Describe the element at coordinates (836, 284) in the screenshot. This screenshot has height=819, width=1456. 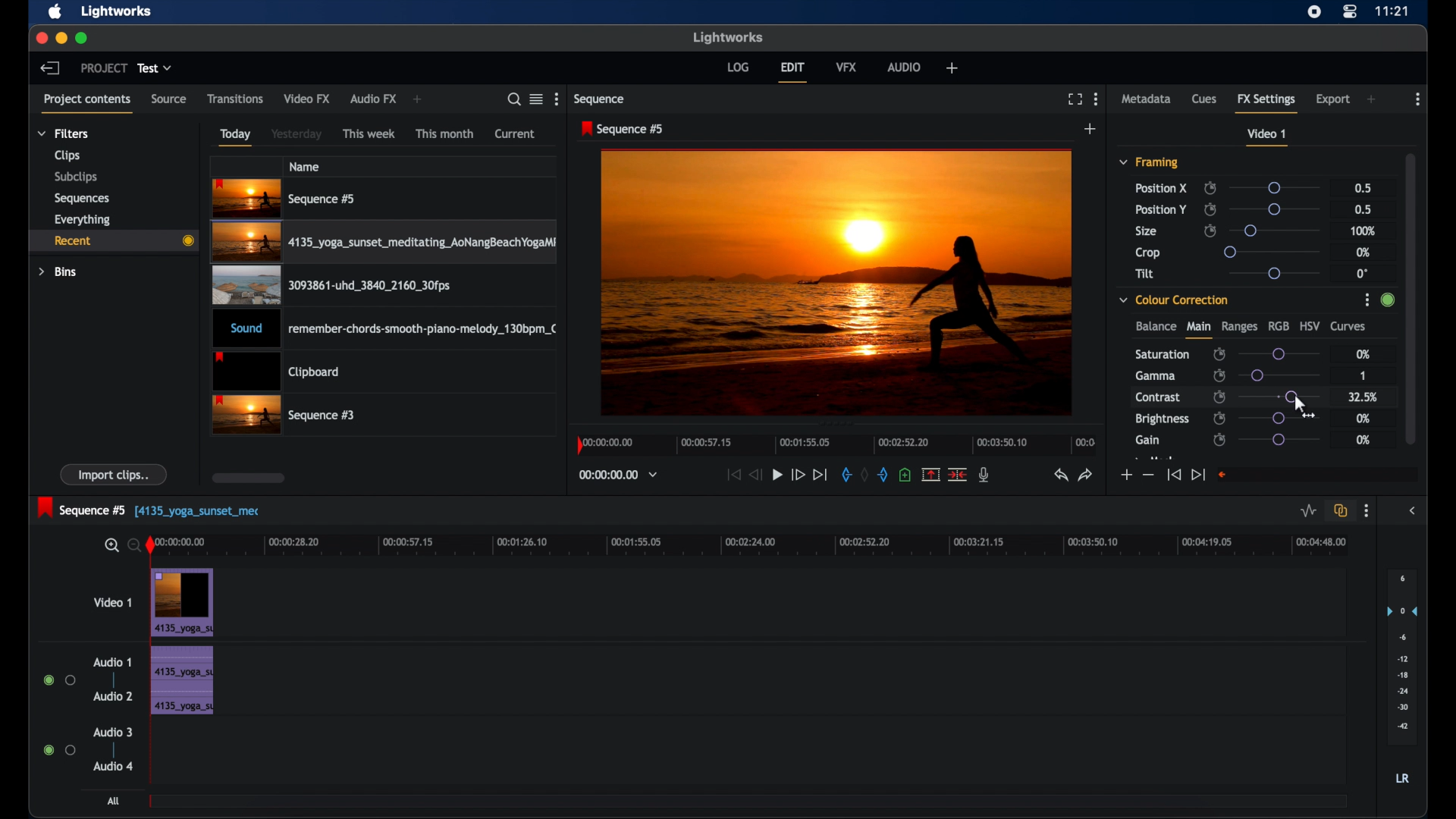
I see `video preview` at that location.